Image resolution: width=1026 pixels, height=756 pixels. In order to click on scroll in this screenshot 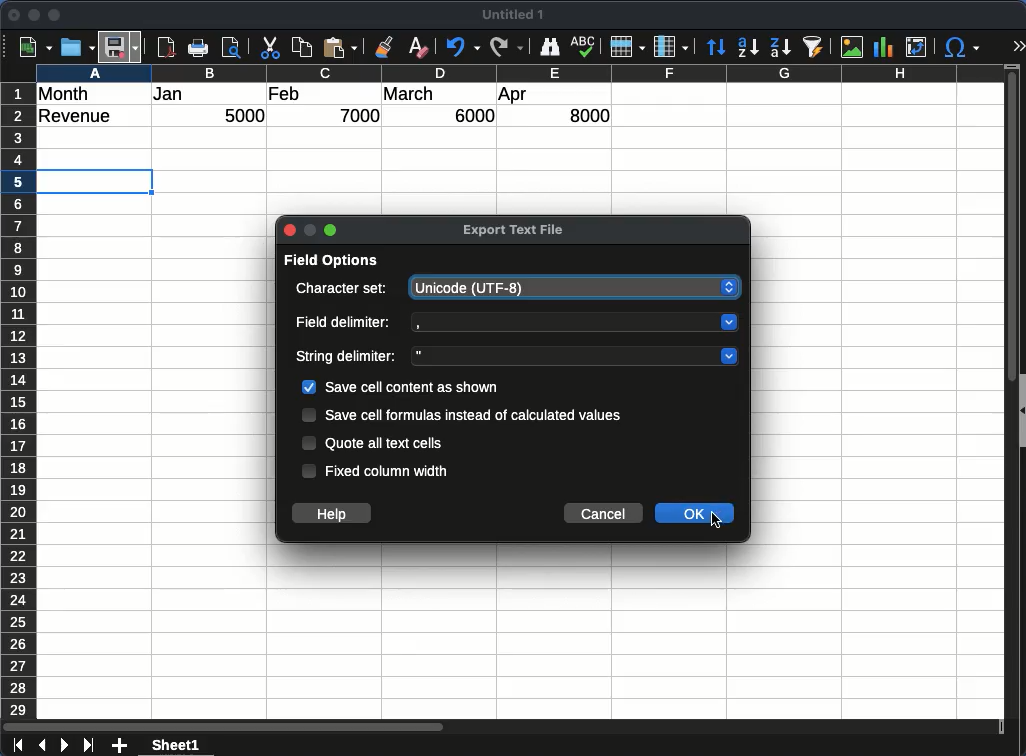, I will do `click(1004, 402)`.